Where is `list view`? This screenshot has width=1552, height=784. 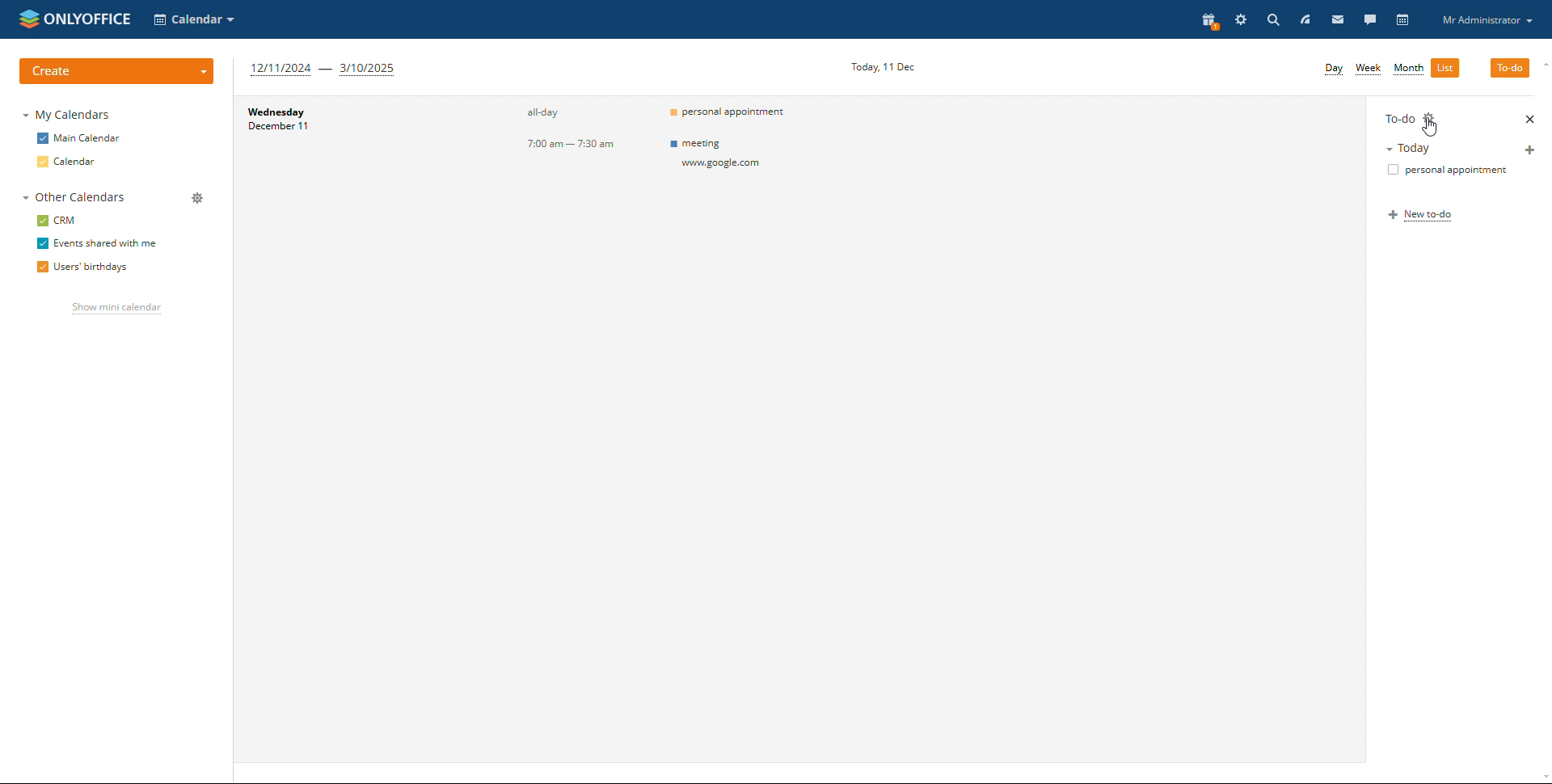 list view is located at coordinates (1445, 68).